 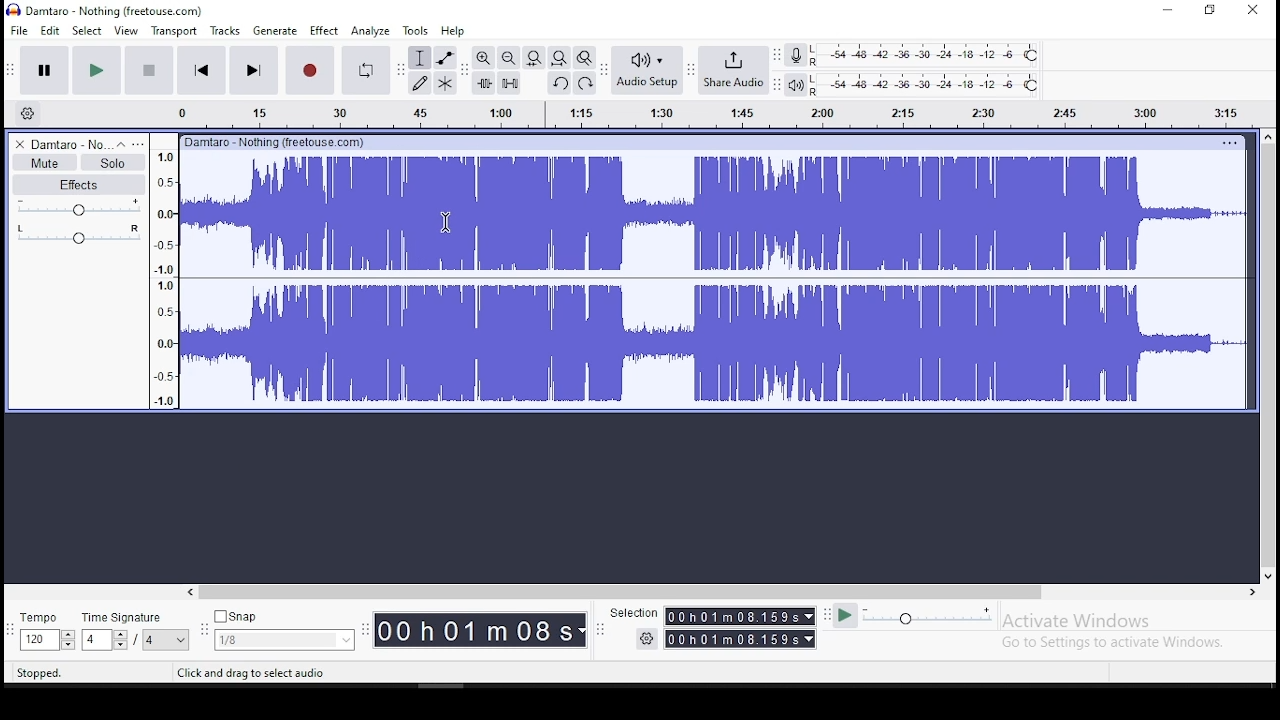 What do you see at coordinates (123, 143) in the screenshot?
I see `collapse` at bounding box center [123, 143].